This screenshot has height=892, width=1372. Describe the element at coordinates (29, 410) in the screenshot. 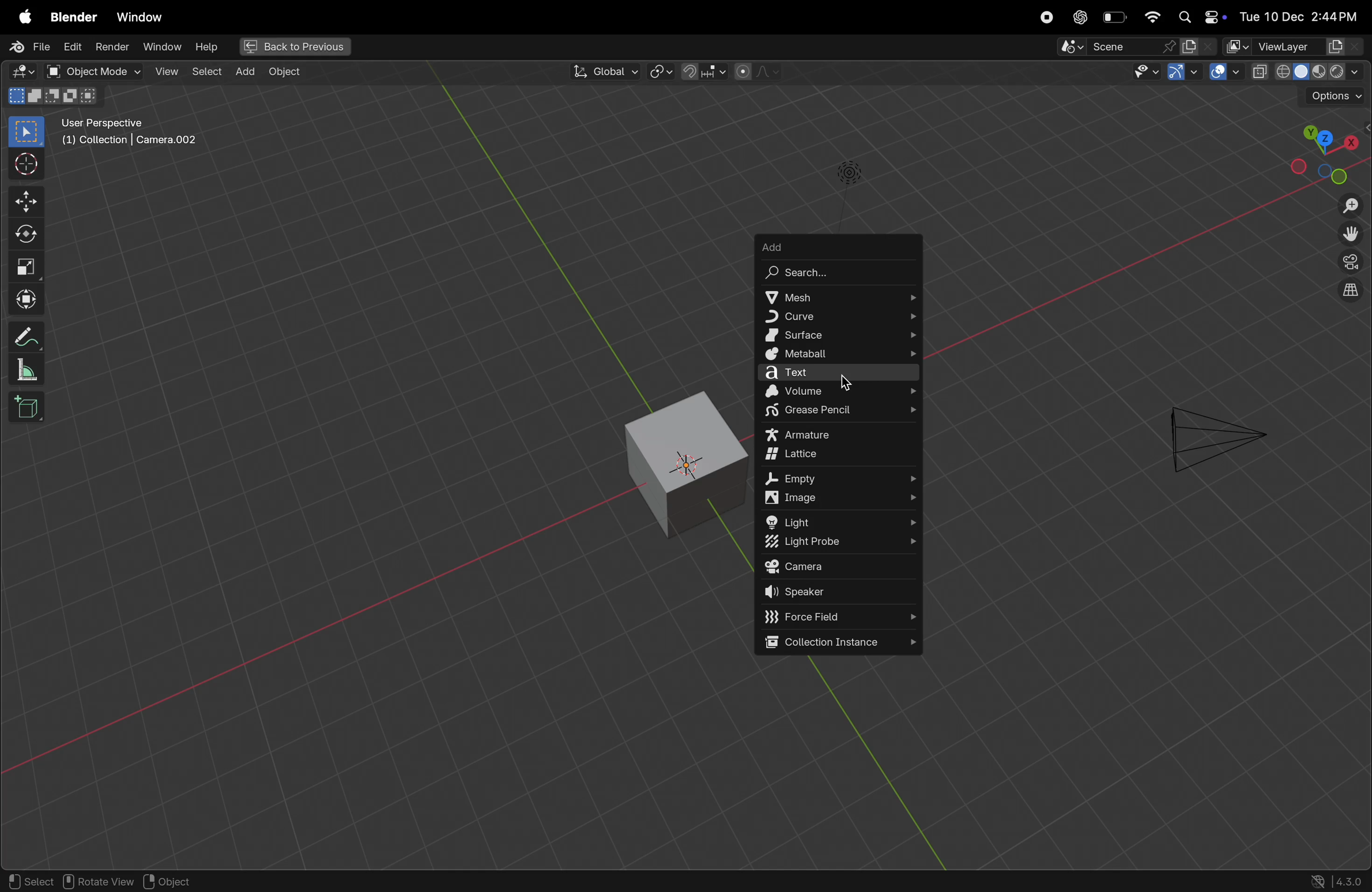

I see `3d box` at that location.